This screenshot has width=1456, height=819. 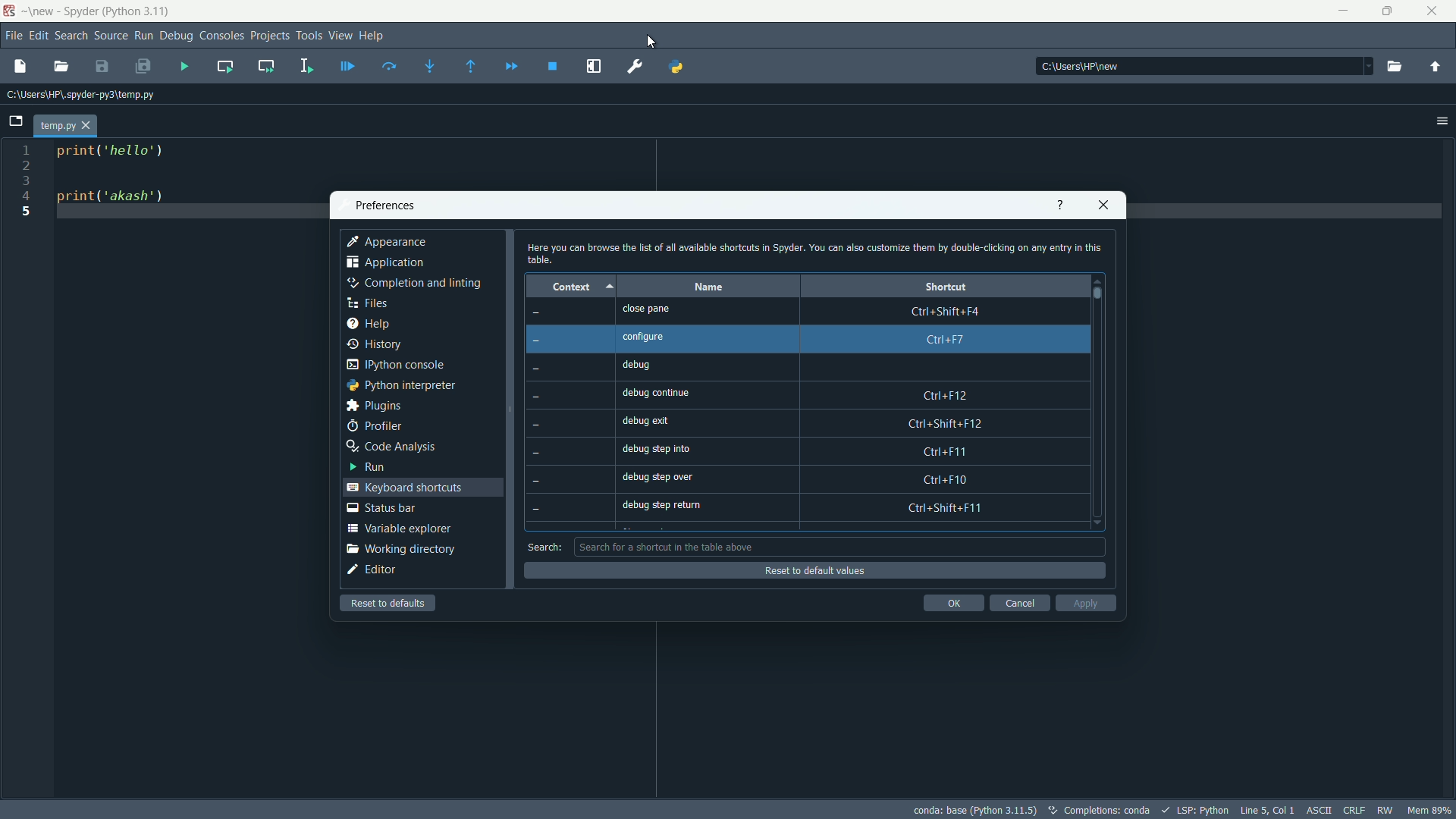 I want to click on get help, so click(x=1059, y=205).